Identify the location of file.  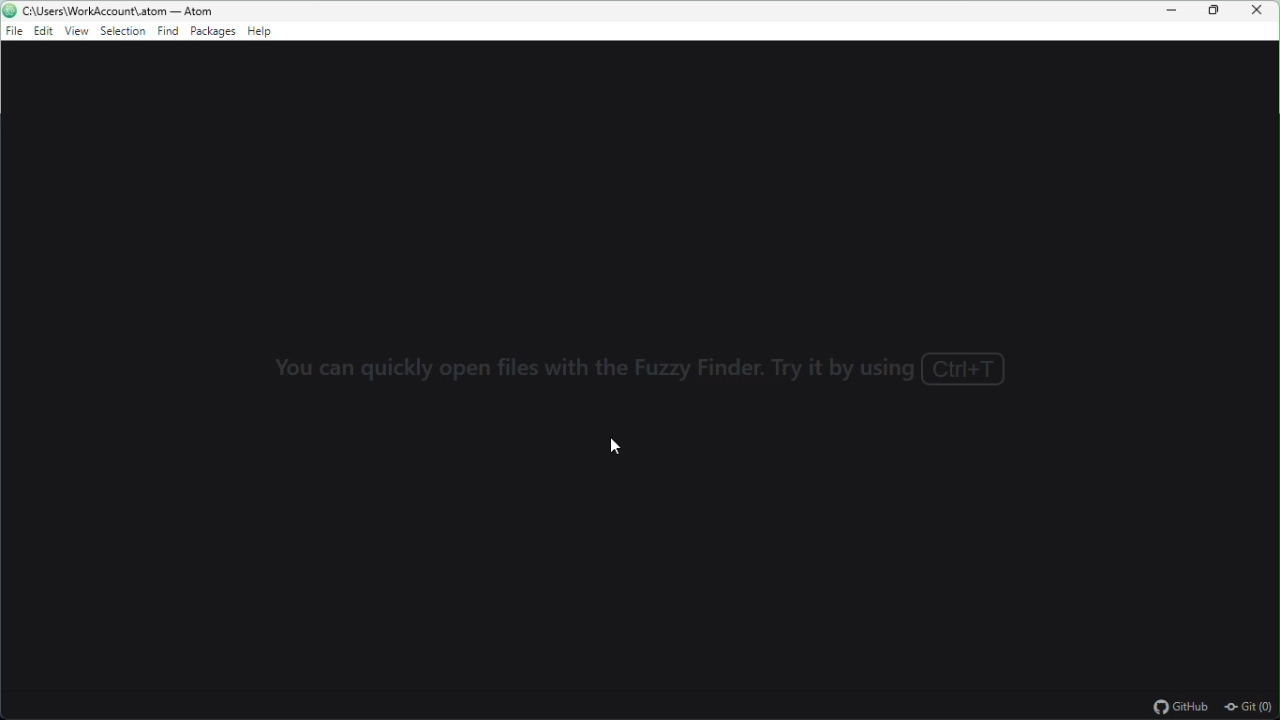
(12, 33).